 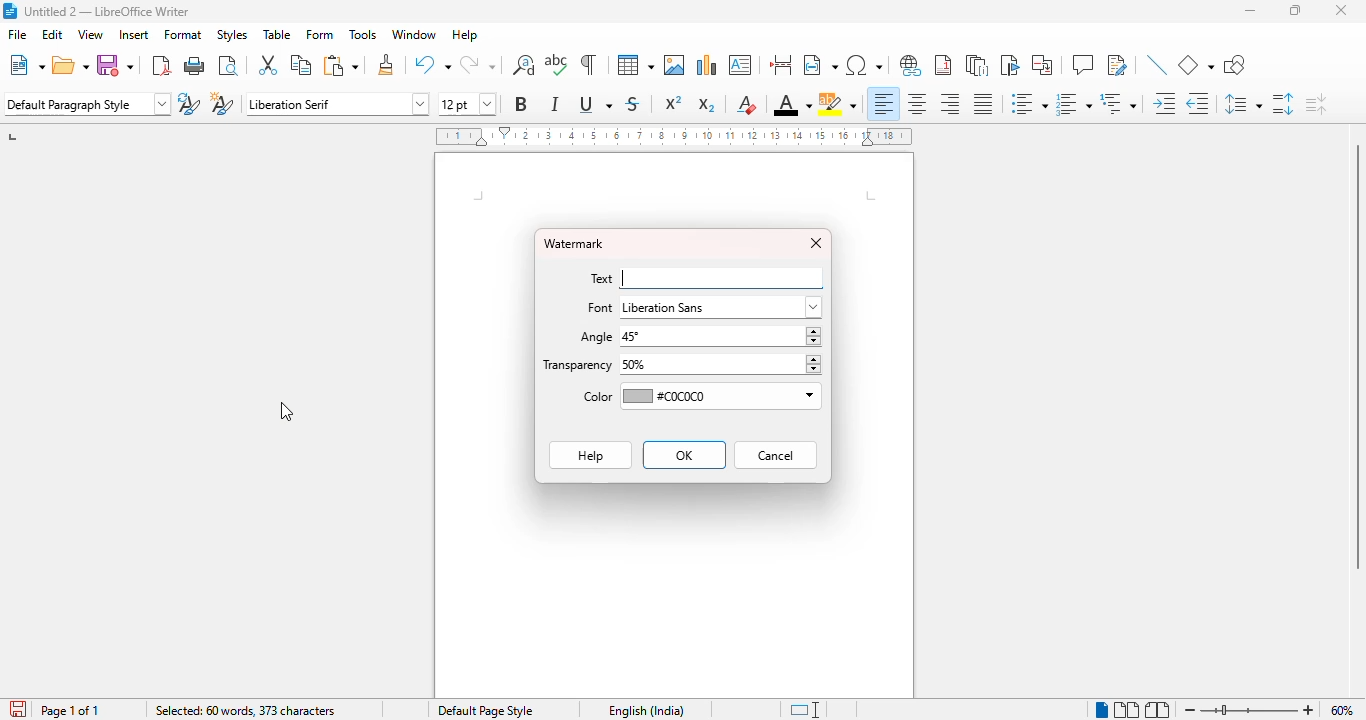 I want to click on find and replace, so click(x=524, y=64).